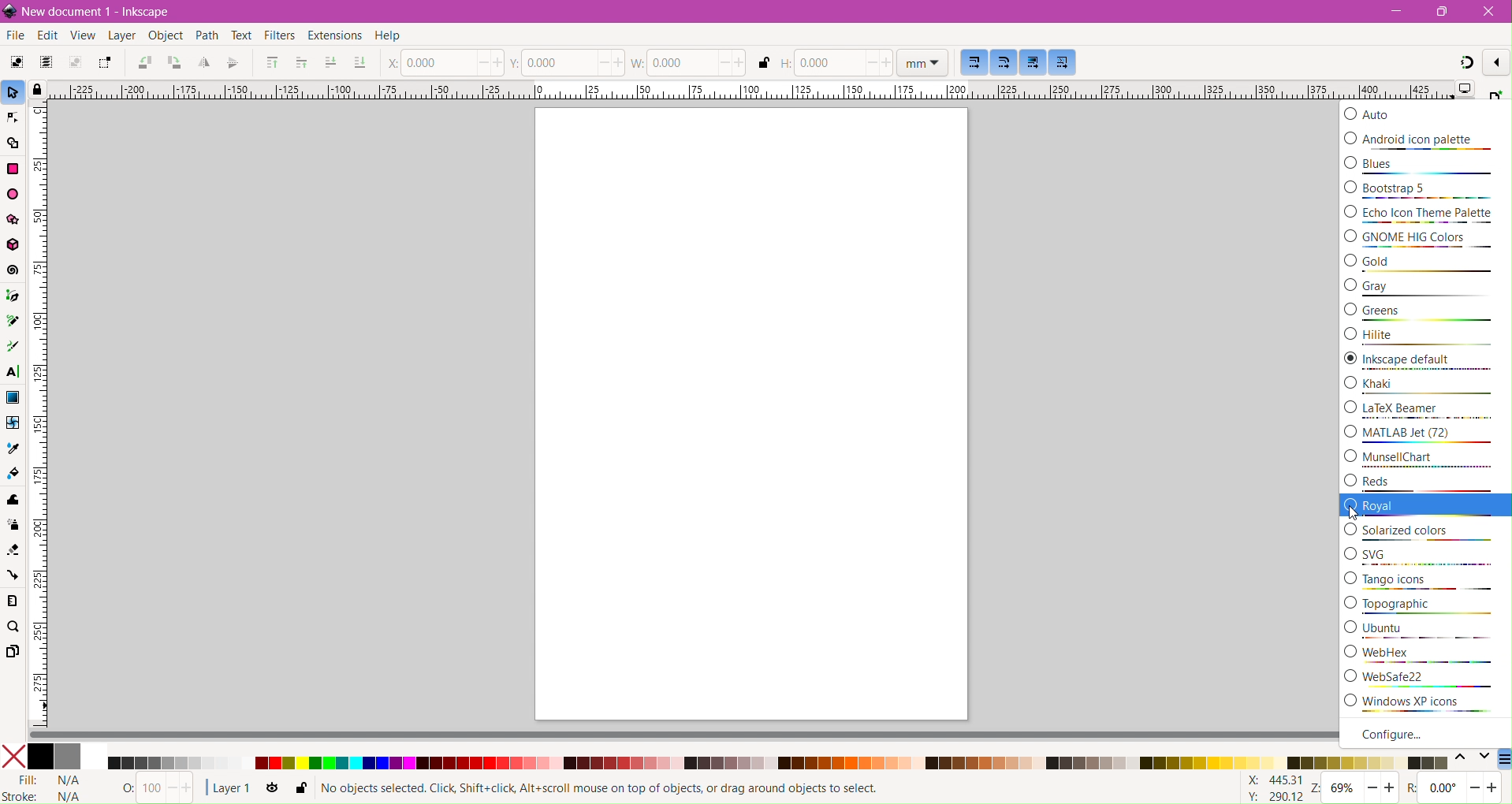  What do you see at coordinates (280, 37) in the screenshot?
I see `Filters` at bounding box center [280, 37].